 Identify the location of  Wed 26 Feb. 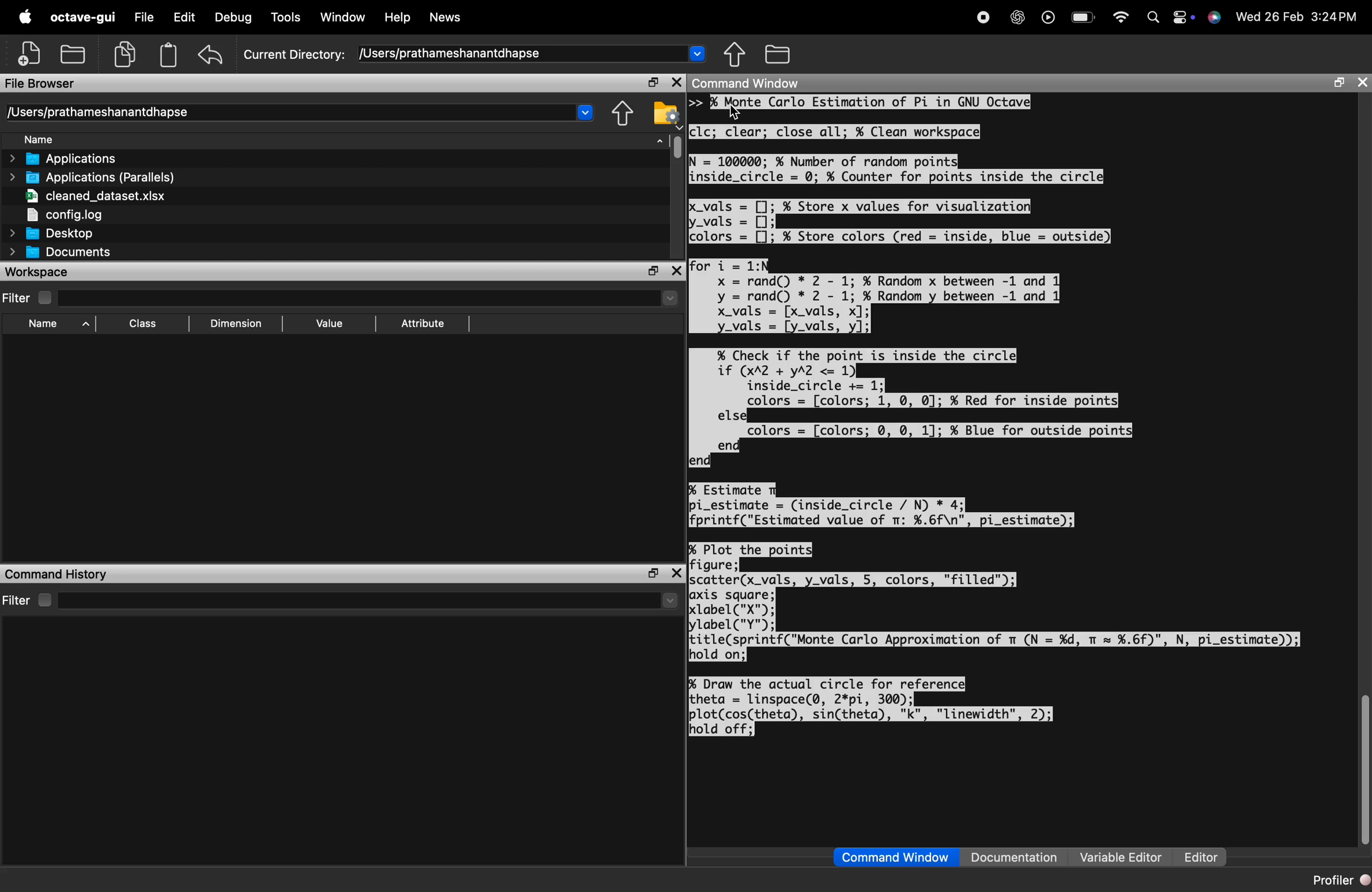
(1267, 16).